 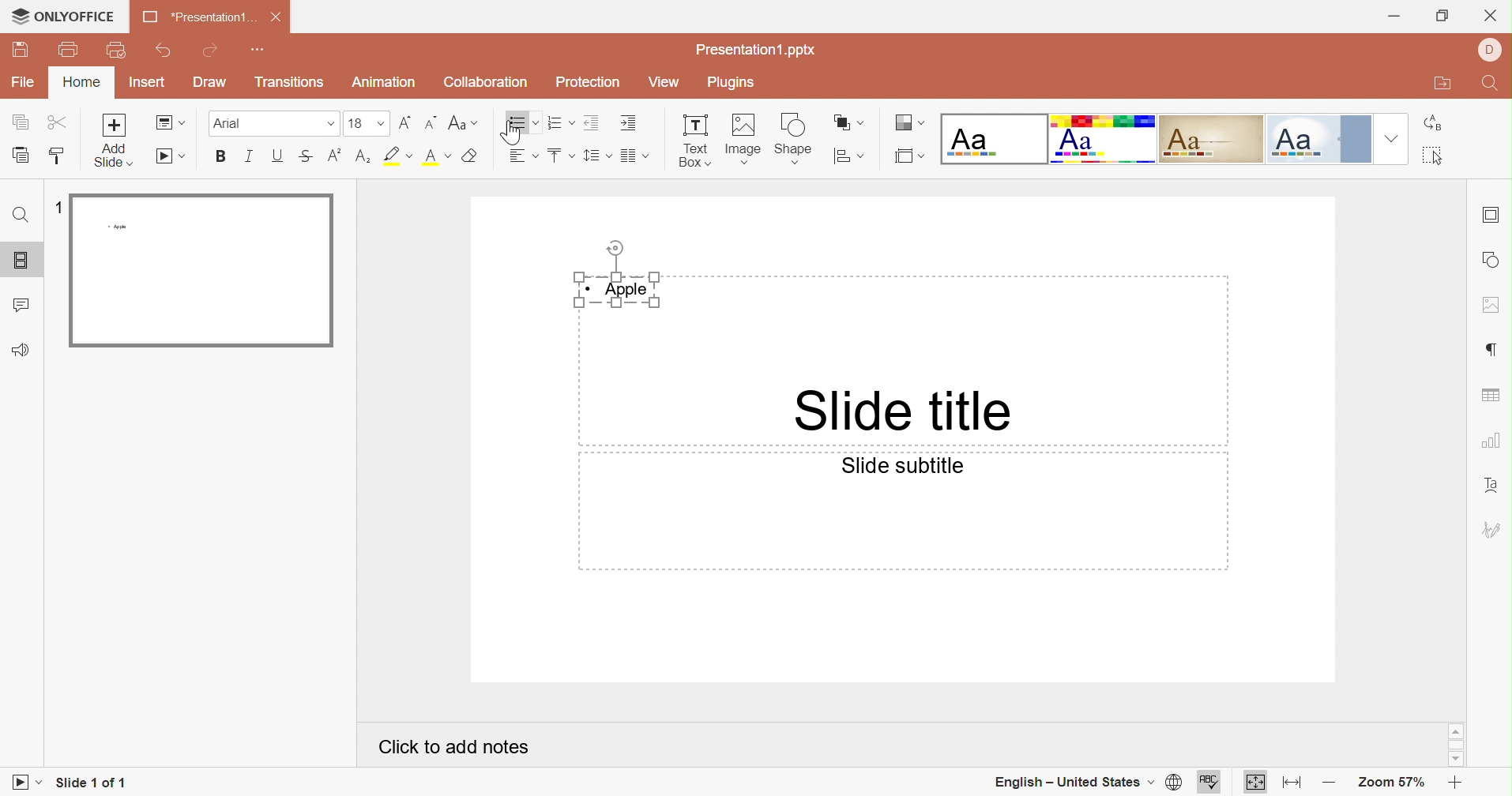 I want to click on Comments, so click(x=22, y=306).